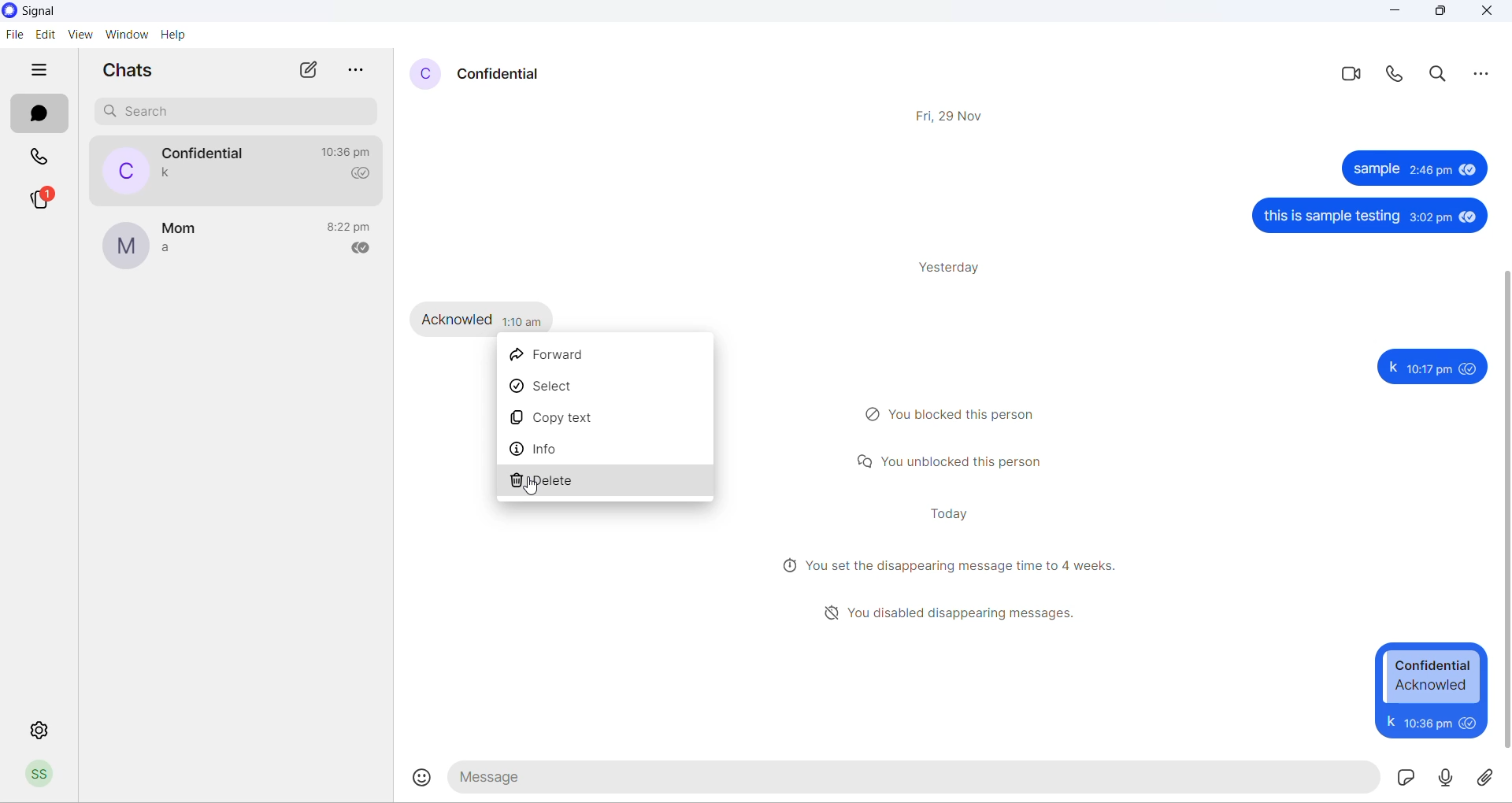 This screenshot has height=803, width=1512. I want to click on this is sample testing, so click(1332, 218).